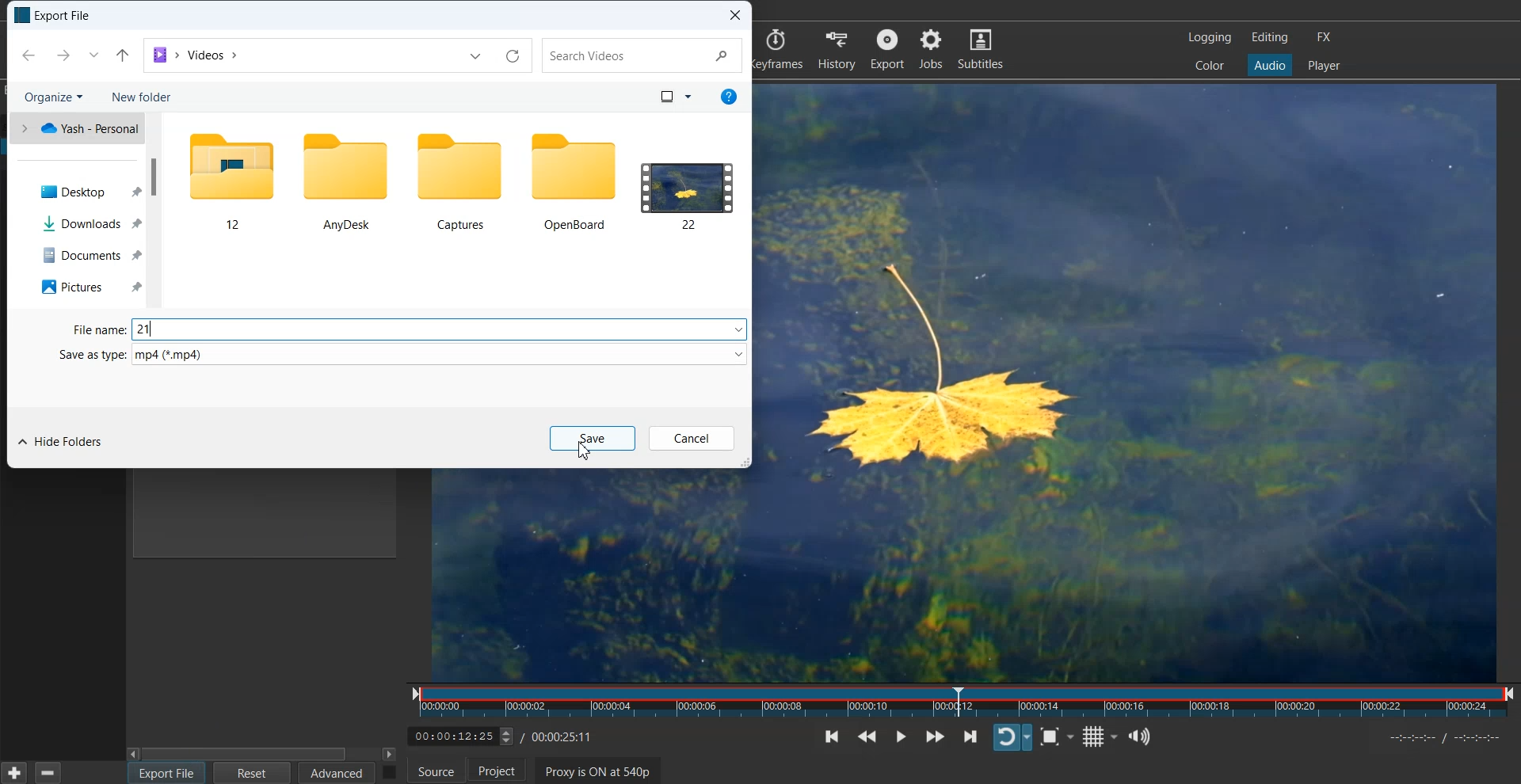 The image size is (1521, 784). I want to click on Editing, so click(1270, 36).